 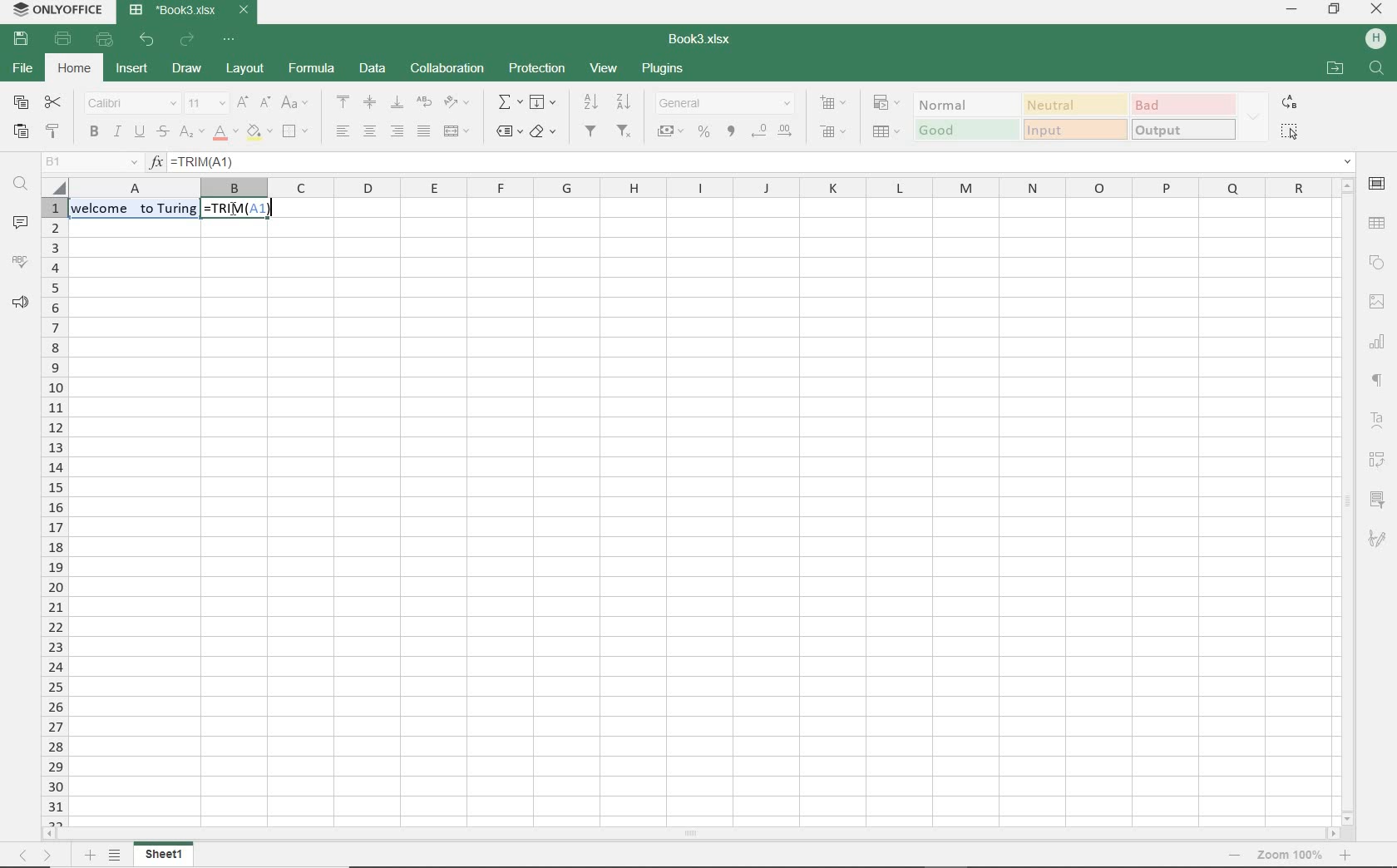 What do you see at coordinates (148, 41) in the screenshot?
I see `undo` at bounding box center [148, 41].